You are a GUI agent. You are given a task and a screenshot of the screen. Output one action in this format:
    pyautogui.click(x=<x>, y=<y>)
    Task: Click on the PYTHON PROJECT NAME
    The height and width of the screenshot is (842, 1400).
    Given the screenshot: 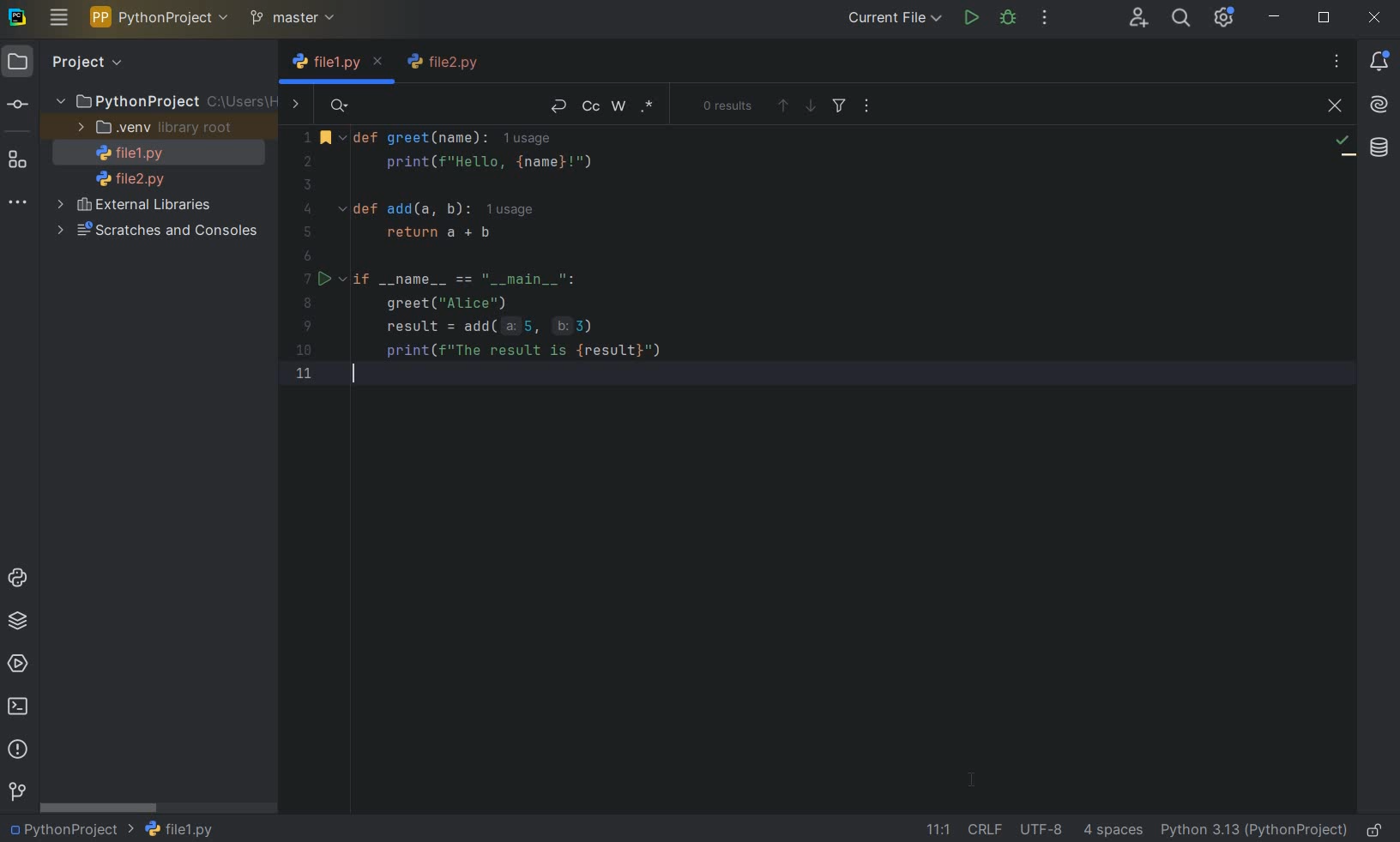 What is the action you would take?
    pyautogui.click(x=162, y=19)
    